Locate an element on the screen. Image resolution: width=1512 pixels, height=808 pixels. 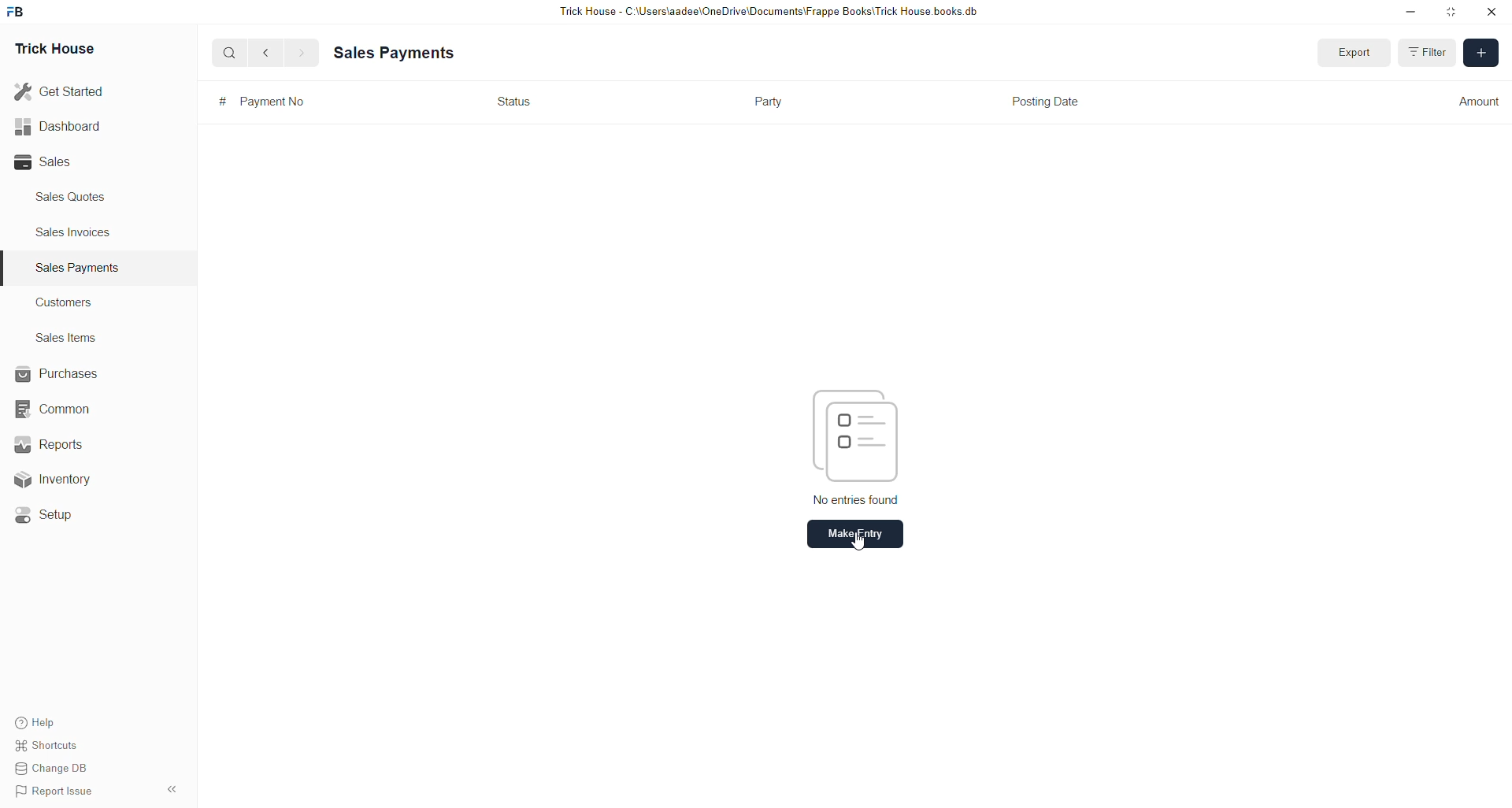
Common is located at coordinates (60, 410).